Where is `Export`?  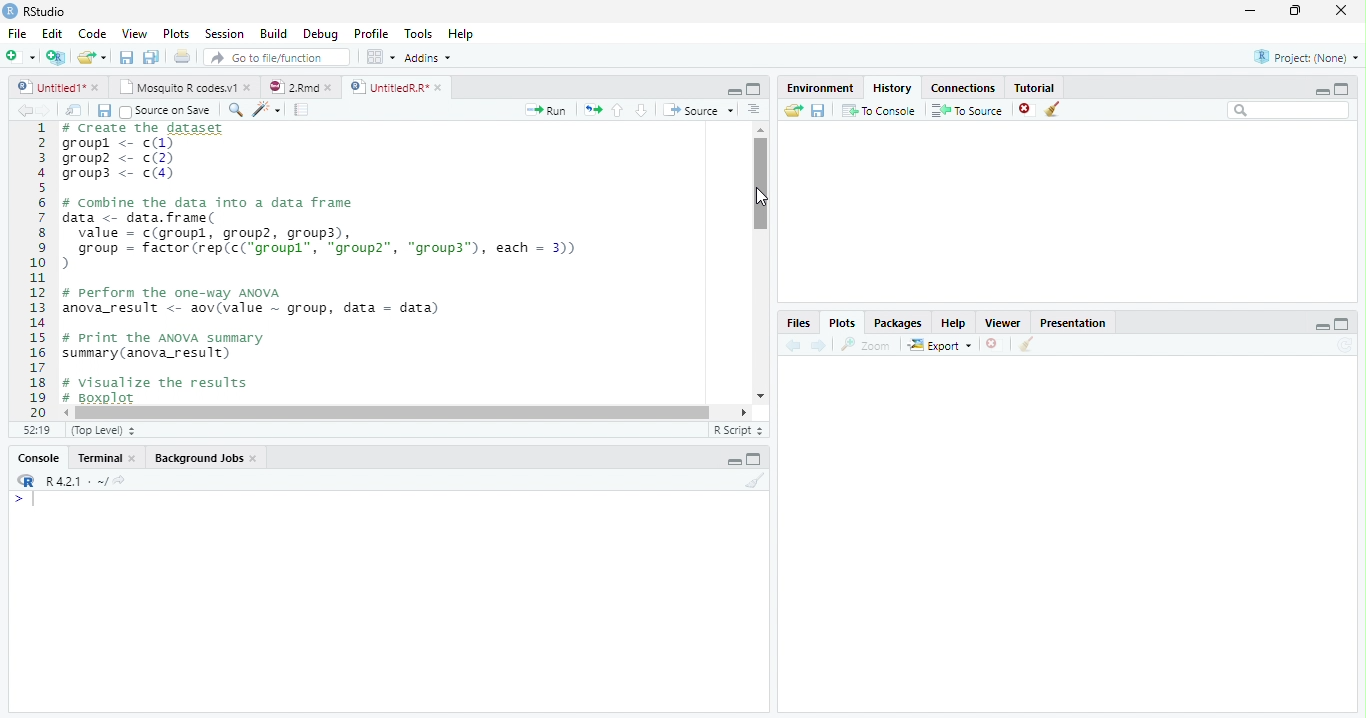 Export is located at coordinates (941, 345).